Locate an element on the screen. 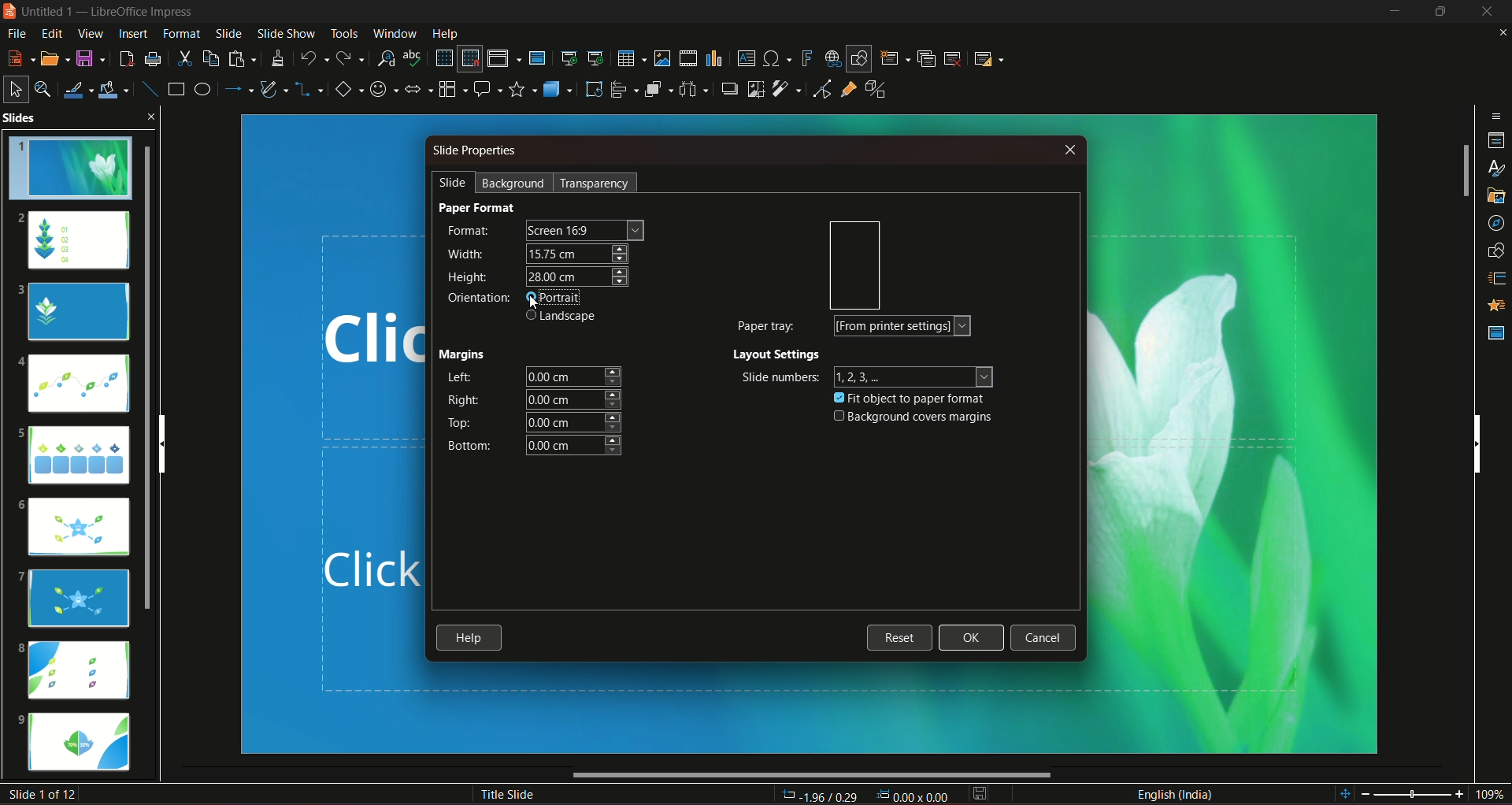 This screenshot has height=805, width=1512. portrait is located at coordinates (562, 299).